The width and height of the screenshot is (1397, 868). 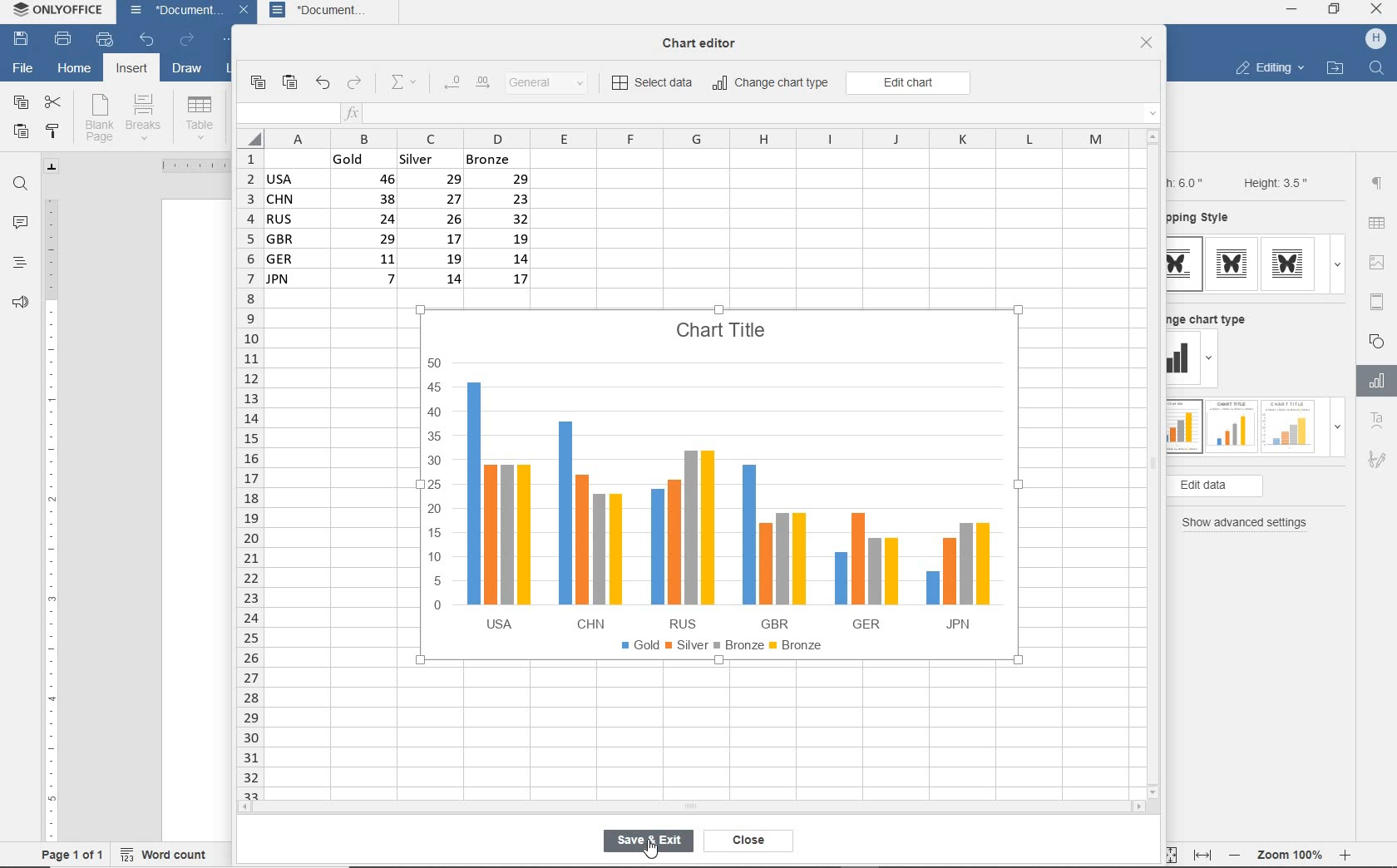 I want to click on system name, so click(x=61, y=13).